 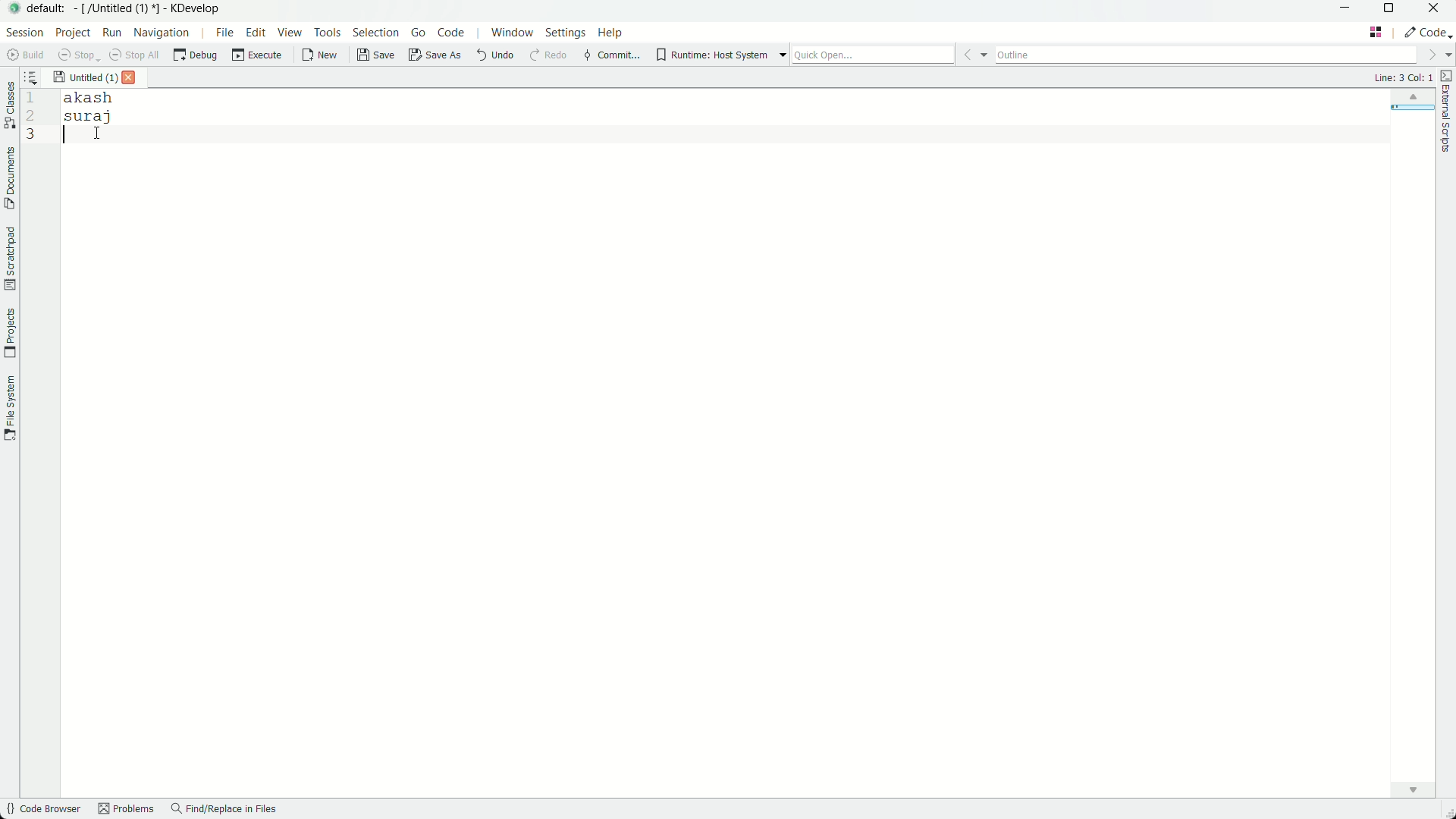 What do you see at coordinates (1345, 11) in the screenshot?
I see `minimize` at bounding box center [1345, 11].